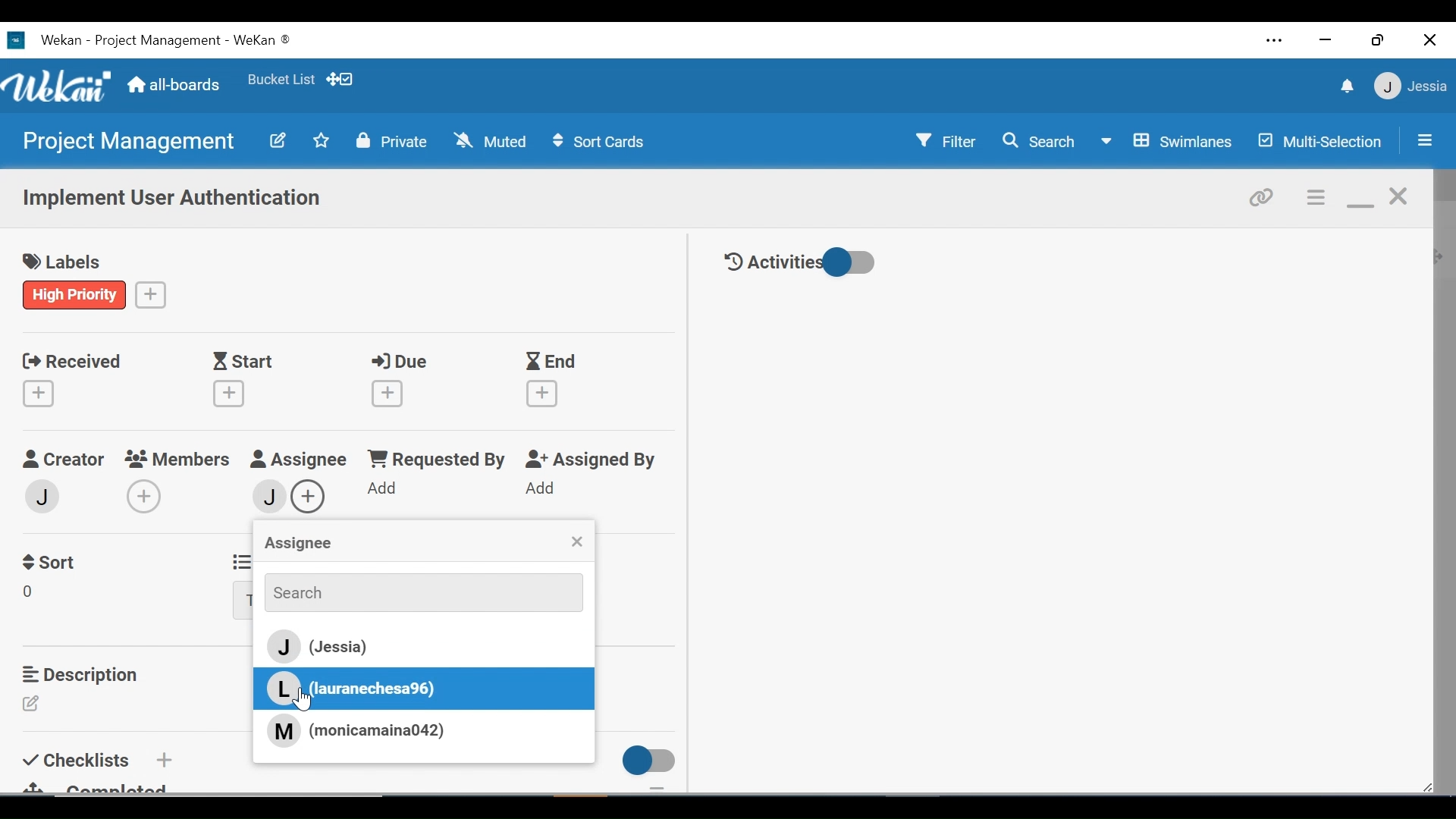 This screenshot has height=819, width=1456. I want to click on wekan icon, so click(20, 40).